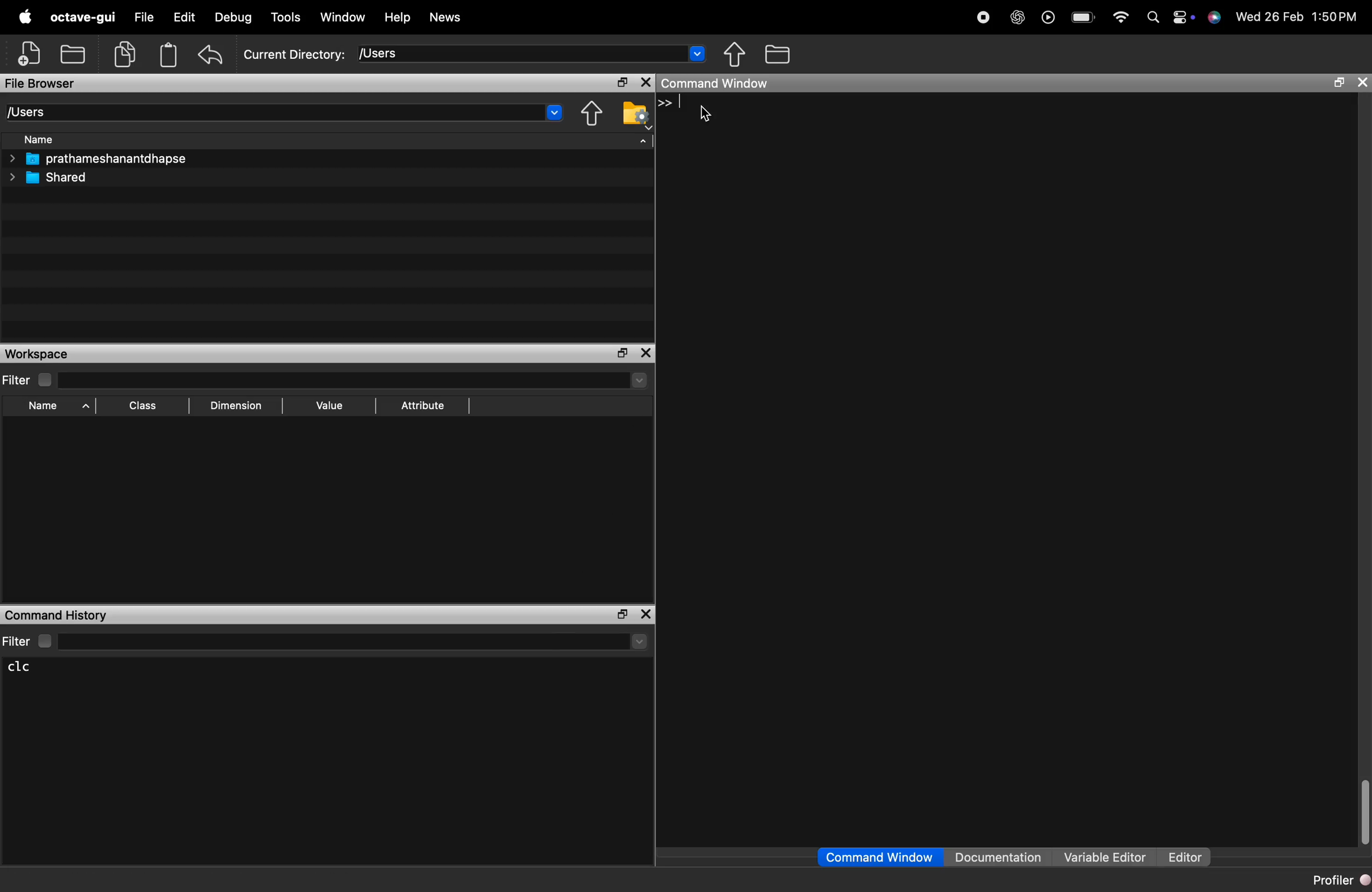 This screenshot has height=892, width=1372. What do you see at coordinates (235, 406) in the screenshot?
I see `Dimension` at bounding box center [235, 406].